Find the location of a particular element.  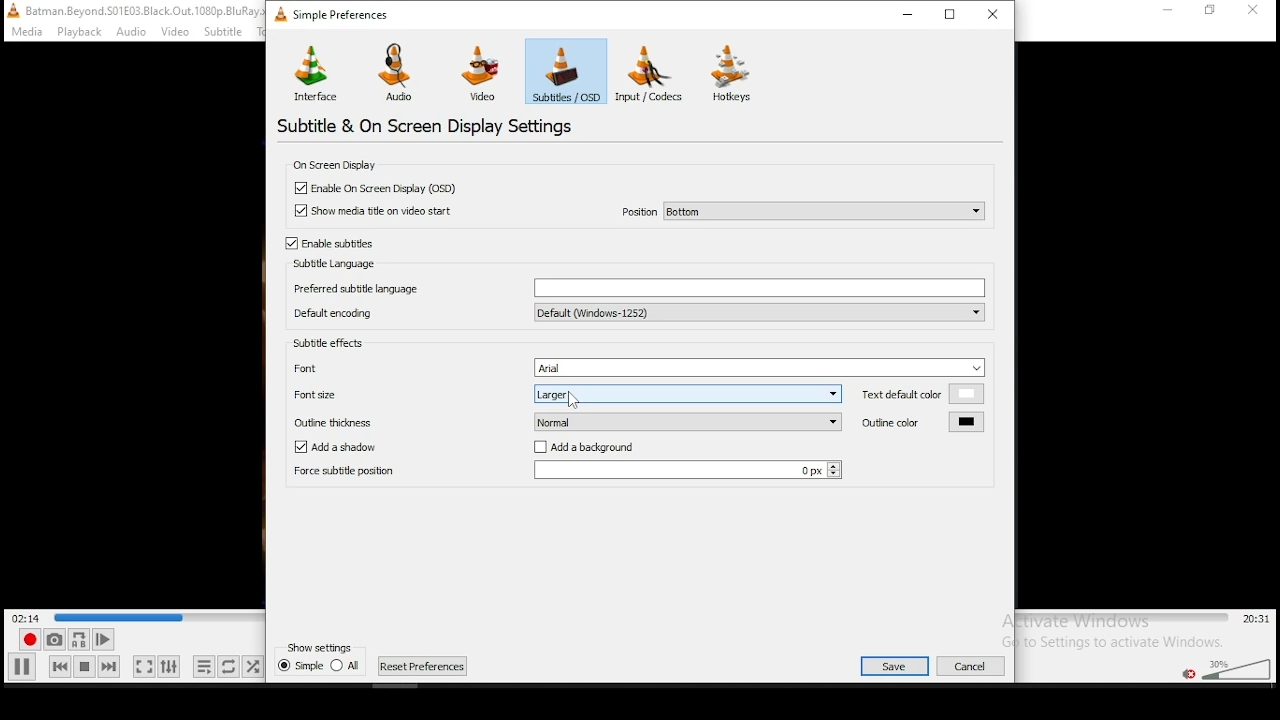

minimize is located at coordinates (912, 14).